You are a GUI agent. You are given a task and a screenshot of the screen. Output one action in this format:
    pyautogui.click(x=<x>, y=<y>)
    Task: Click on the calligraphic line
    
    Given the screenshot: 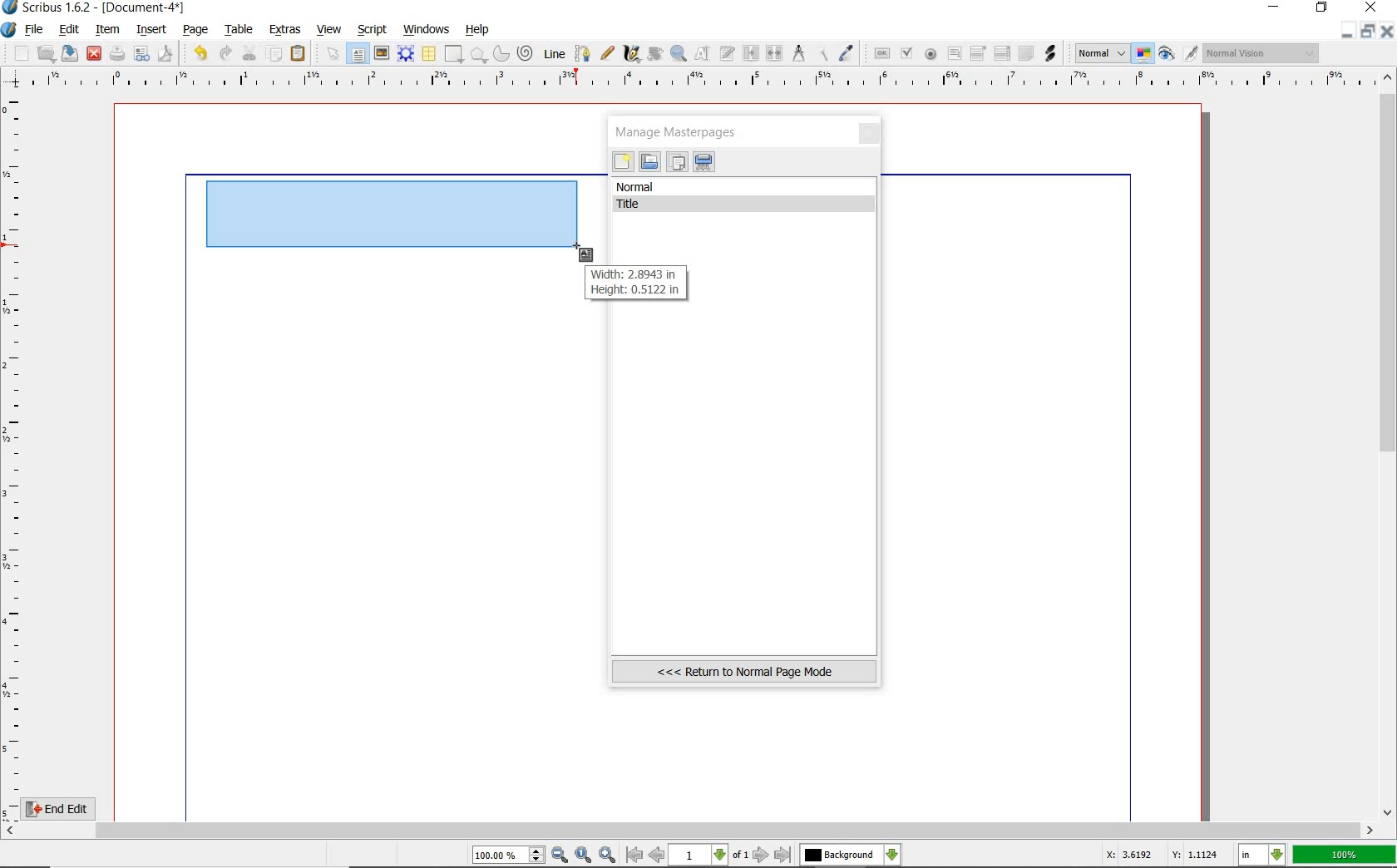 What is the action you would take?
    pyautogui.click(x=631, y=54)
    